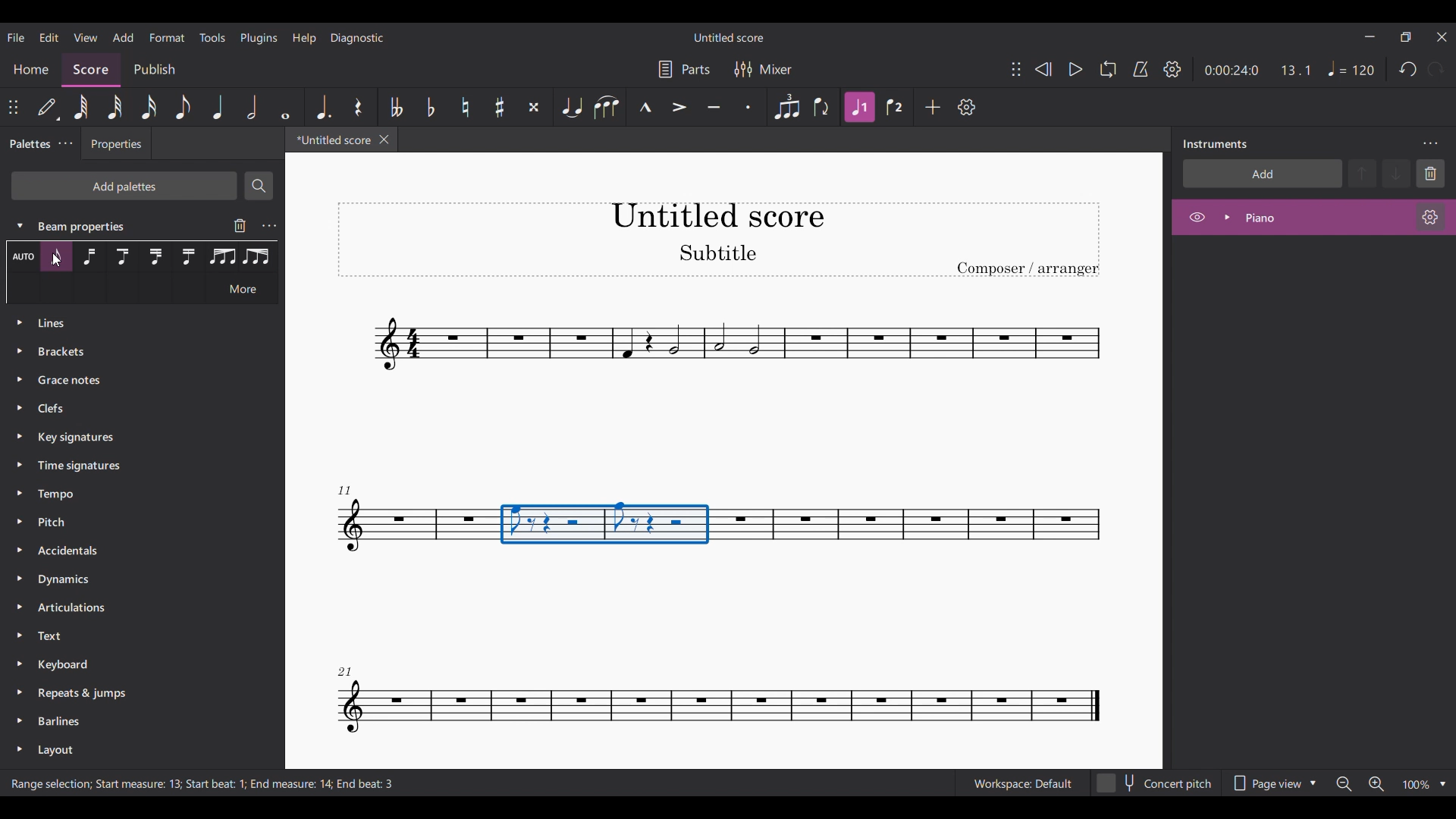 The height and width of the screenshot is (819, 1456). Describe the element at coordinates (124, 37) in the screenshot. I see `Add menu` at that location.